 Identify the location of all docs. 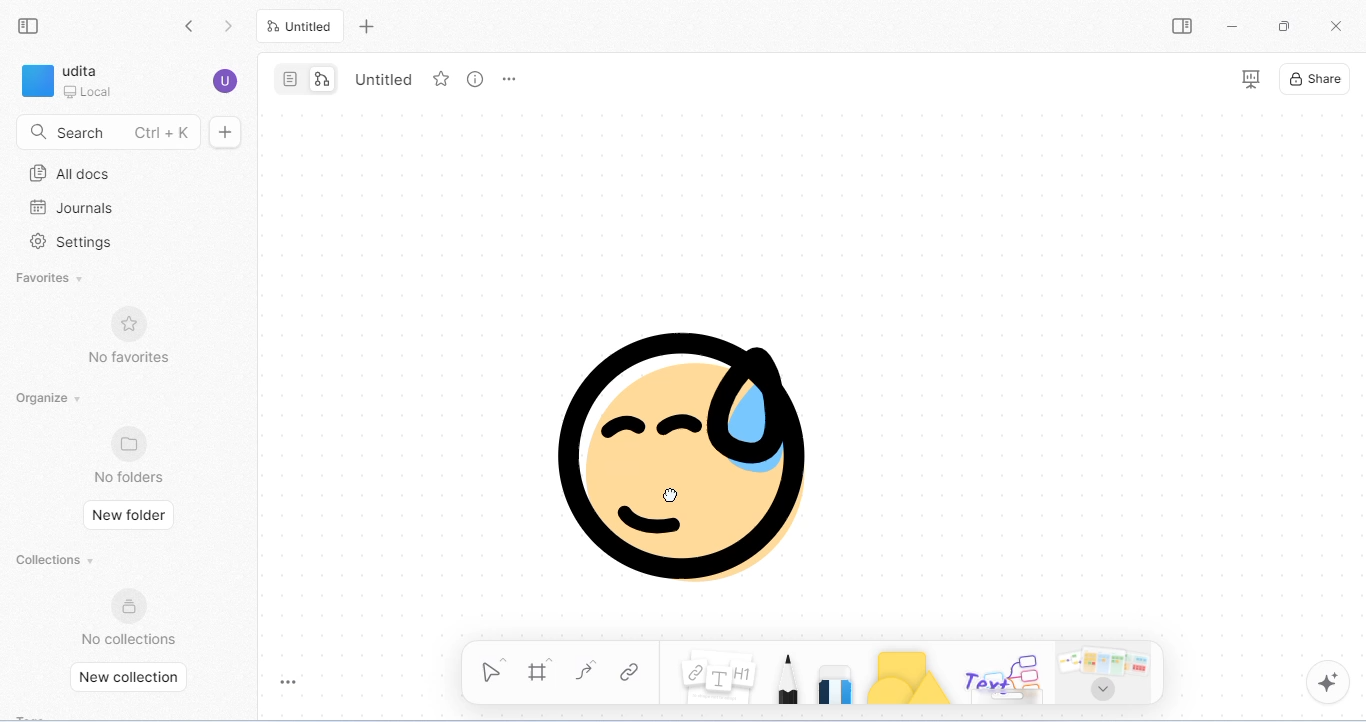
(71, 174).